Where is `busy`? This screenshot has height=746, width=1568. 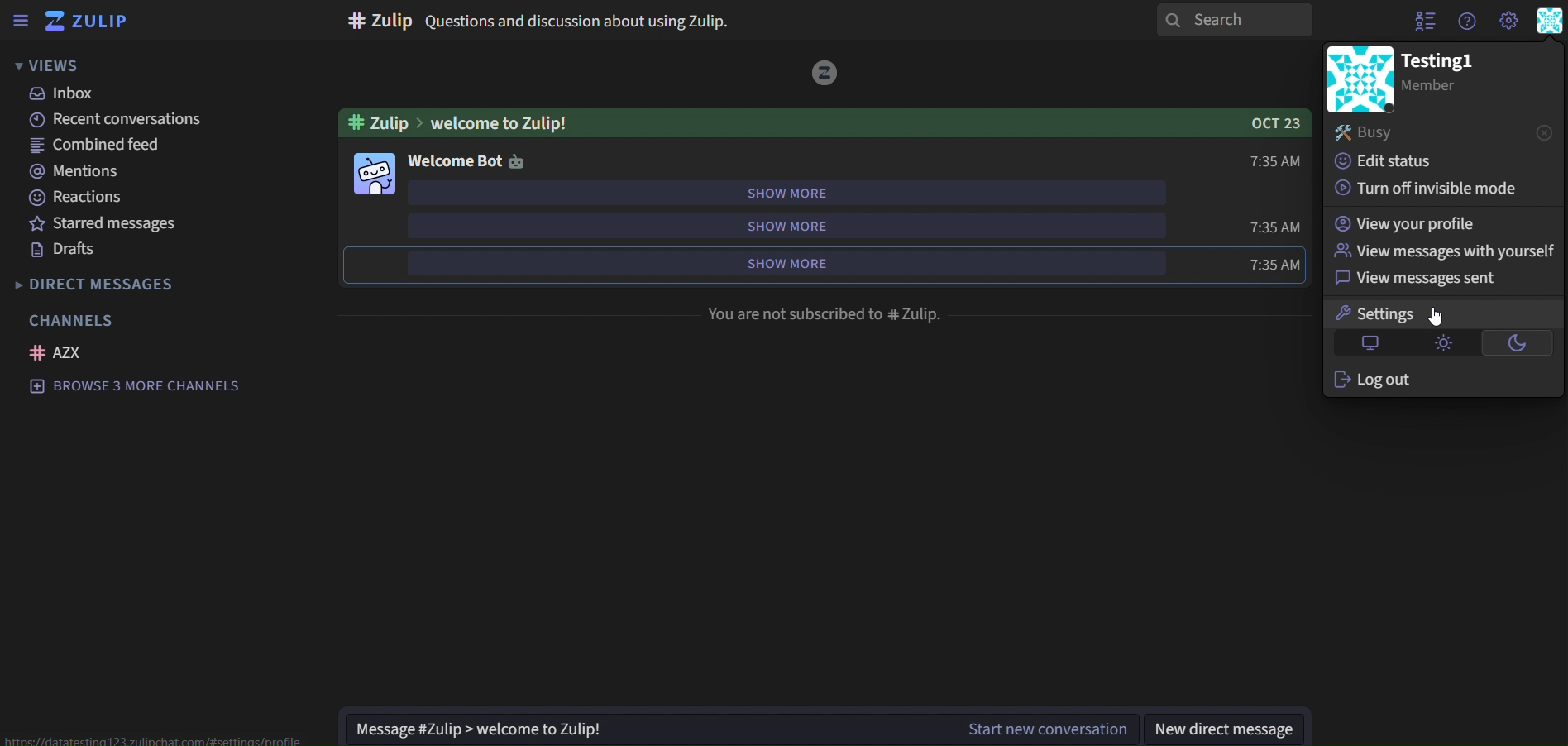
busy is located at coordinates (1395, 131).